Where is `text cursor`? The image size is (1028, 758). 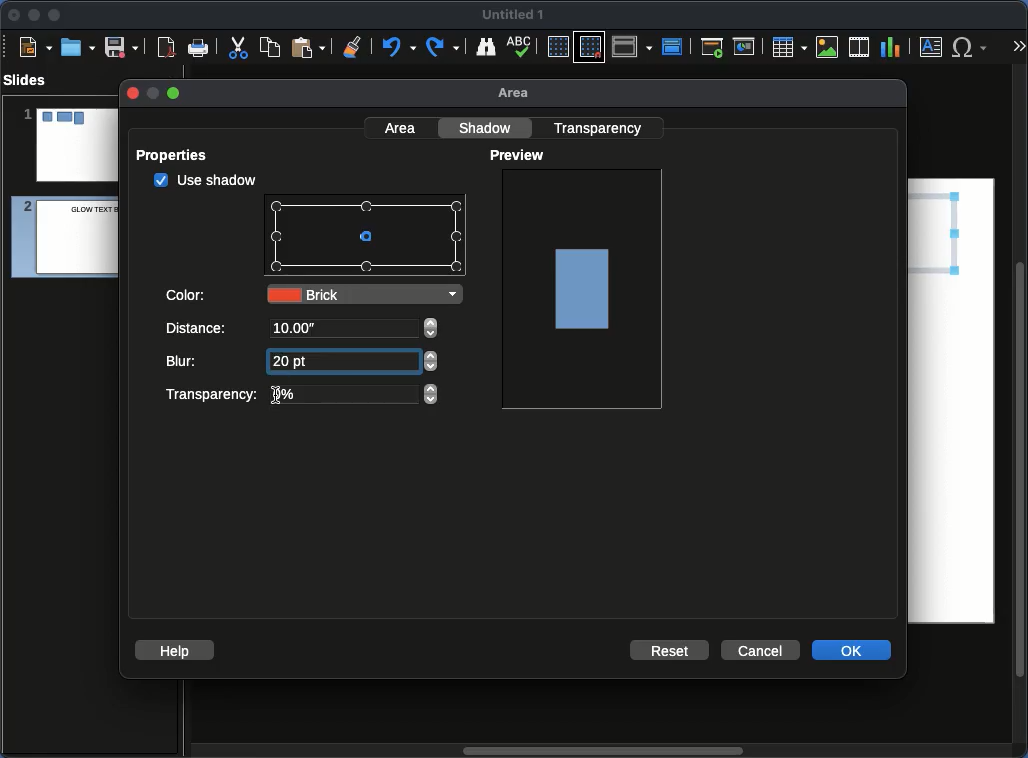
text cursor is located at coordinates (275, 398).